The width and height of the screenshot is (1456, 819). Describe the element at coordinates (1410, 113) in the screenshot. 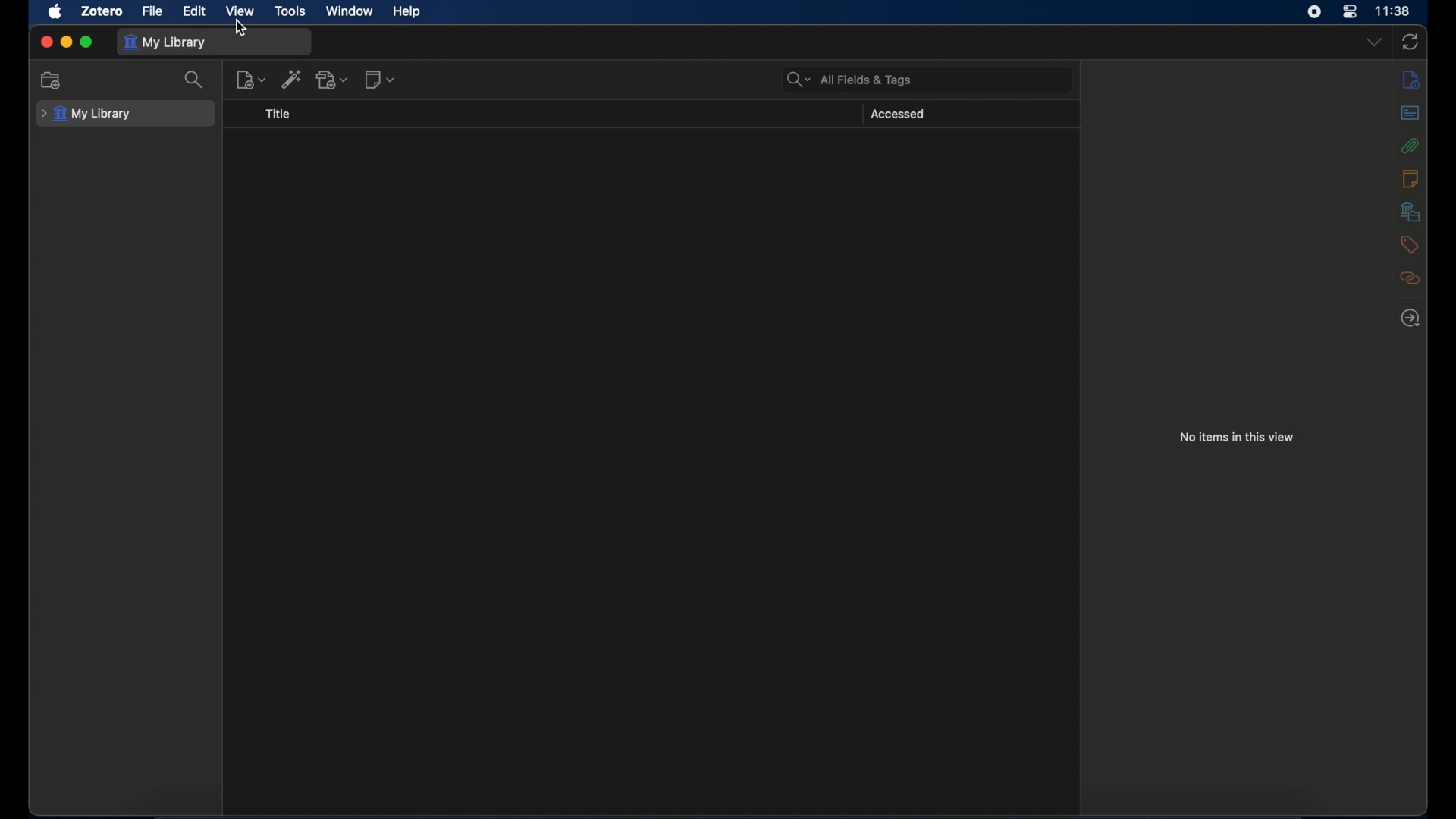

I see `abstract` at that location.